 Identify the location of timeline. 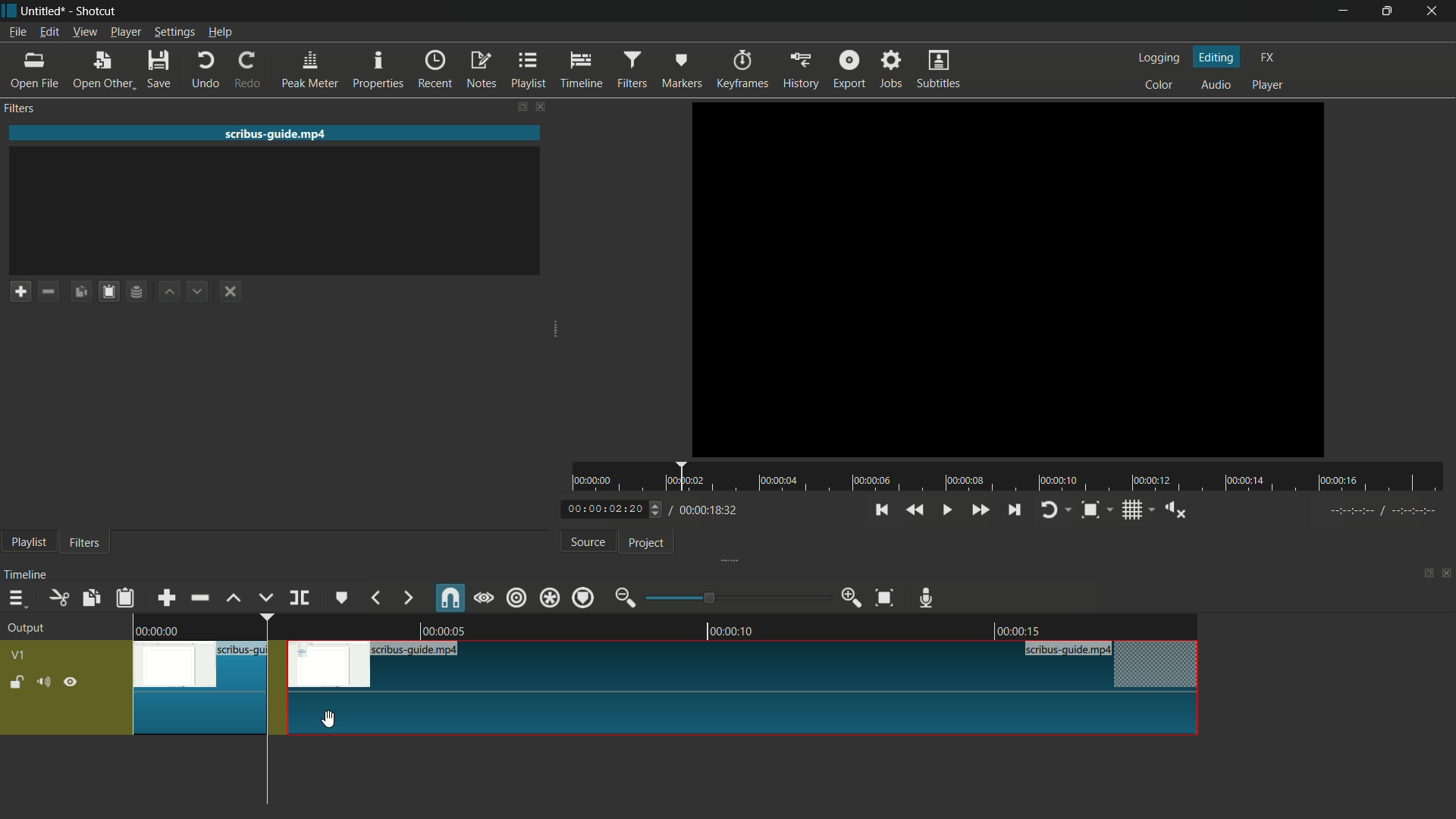
(583, 70).